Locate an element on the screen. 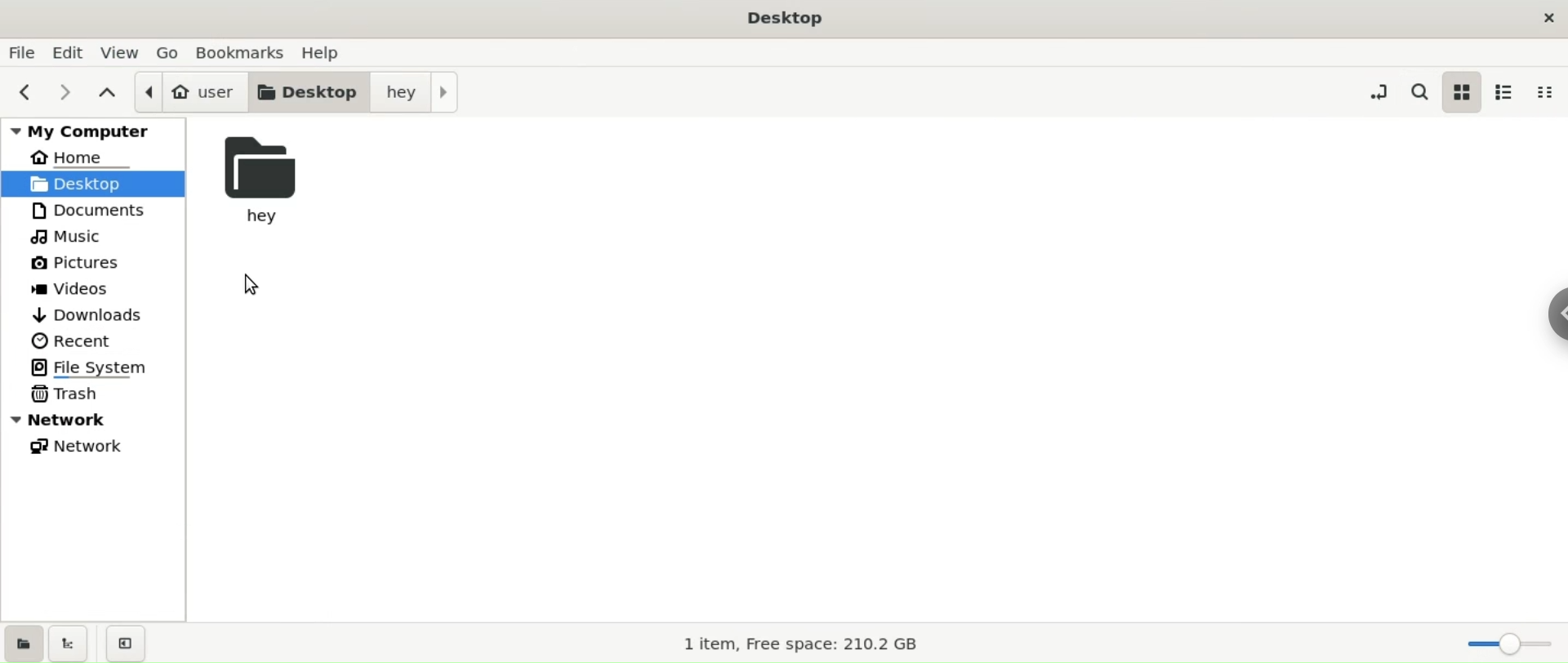 The width and height of the screenshot is (1568, 663). show places is located at coordinates (23, 642).